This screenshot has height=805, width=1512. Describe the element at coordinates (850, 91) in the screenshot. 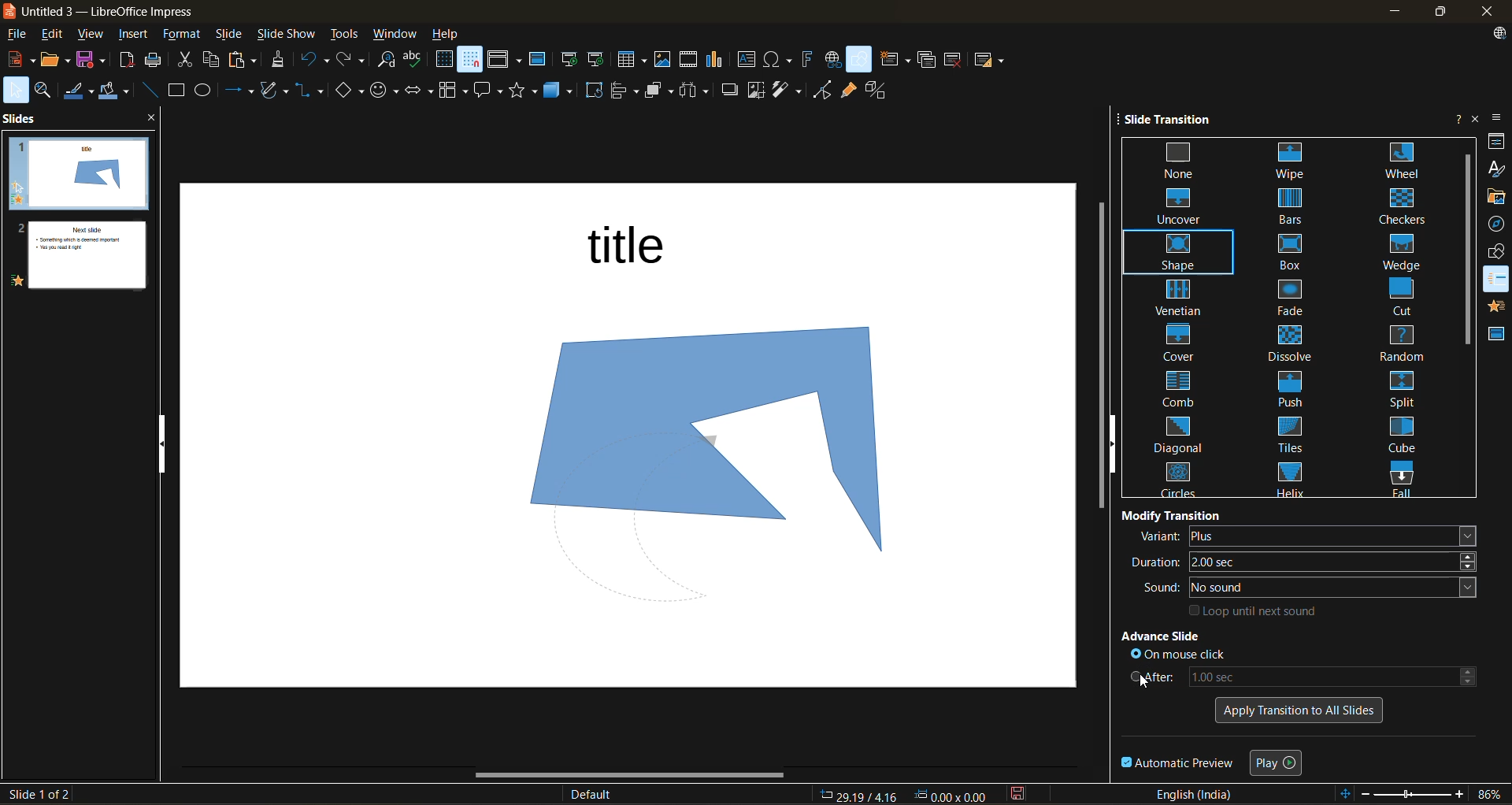

I see `show gluepoint functions` at that location.